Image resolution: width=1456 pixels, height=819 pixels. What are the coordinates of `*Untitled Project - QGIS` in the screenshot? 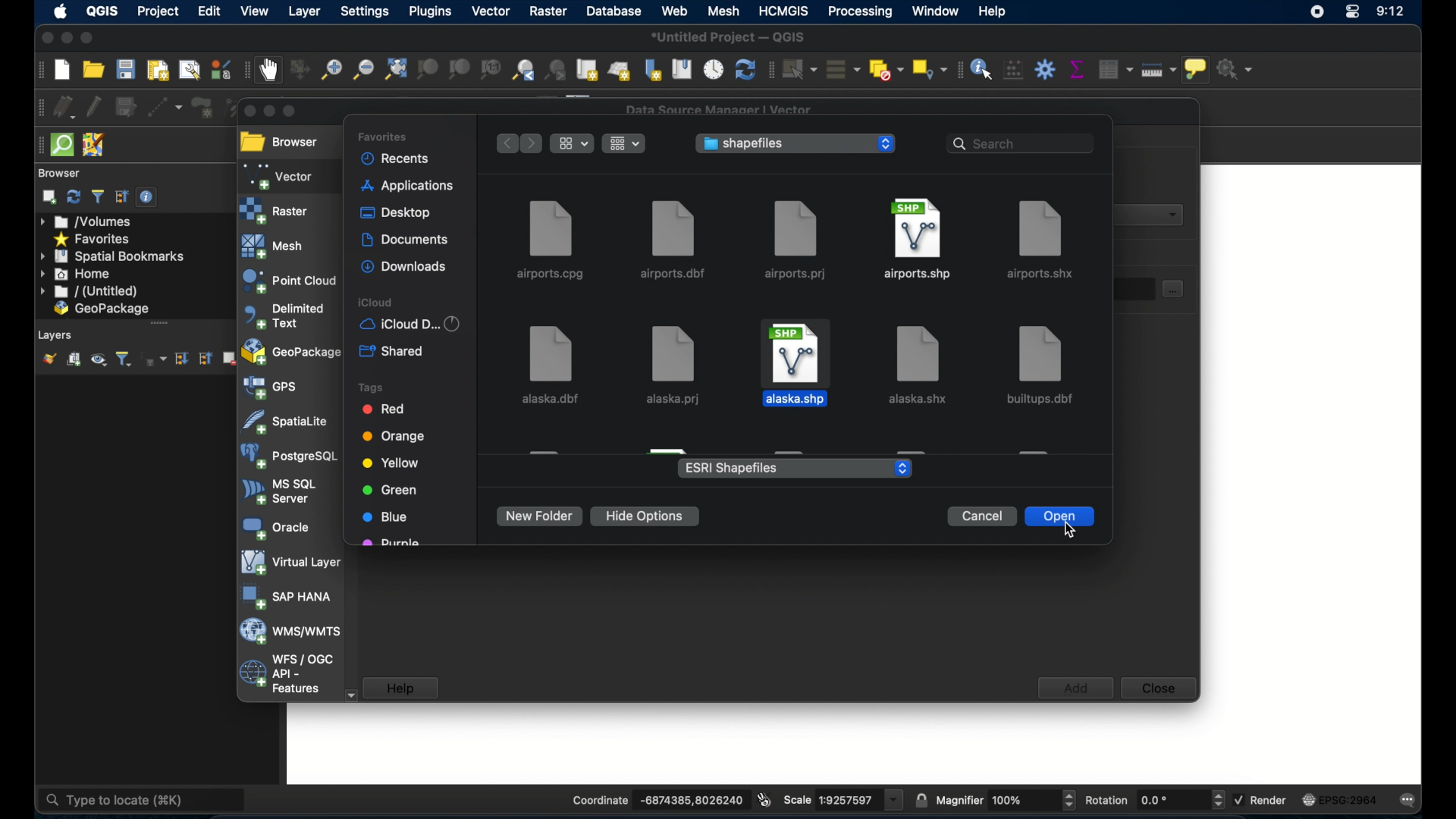 It's located at (730, 36).